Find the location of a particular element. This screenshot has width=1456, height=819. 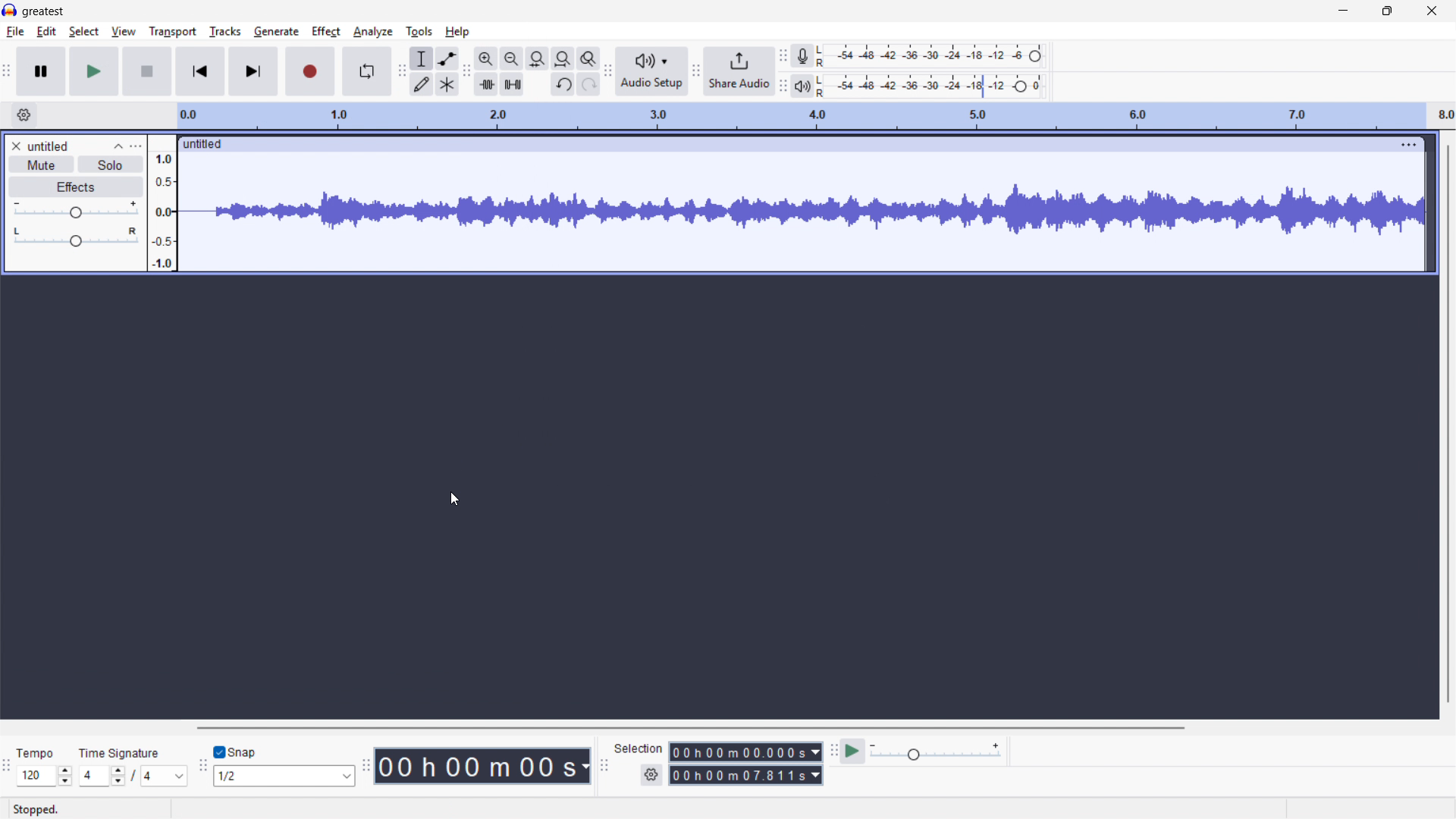

pause is located at coordinates (42, 72).